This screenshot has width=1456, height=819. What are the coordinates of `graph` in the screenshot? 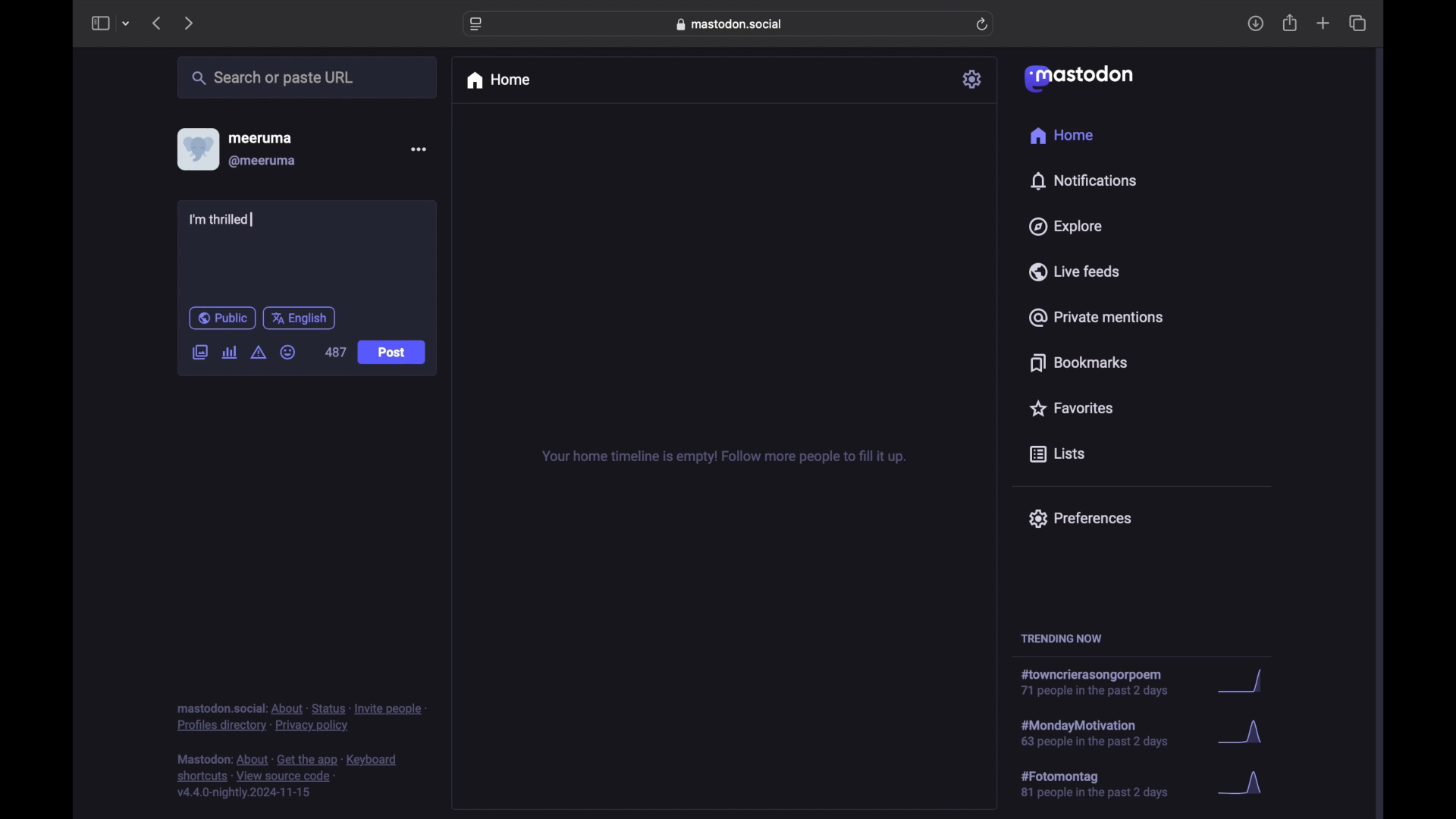 It's located at (1245, 784).